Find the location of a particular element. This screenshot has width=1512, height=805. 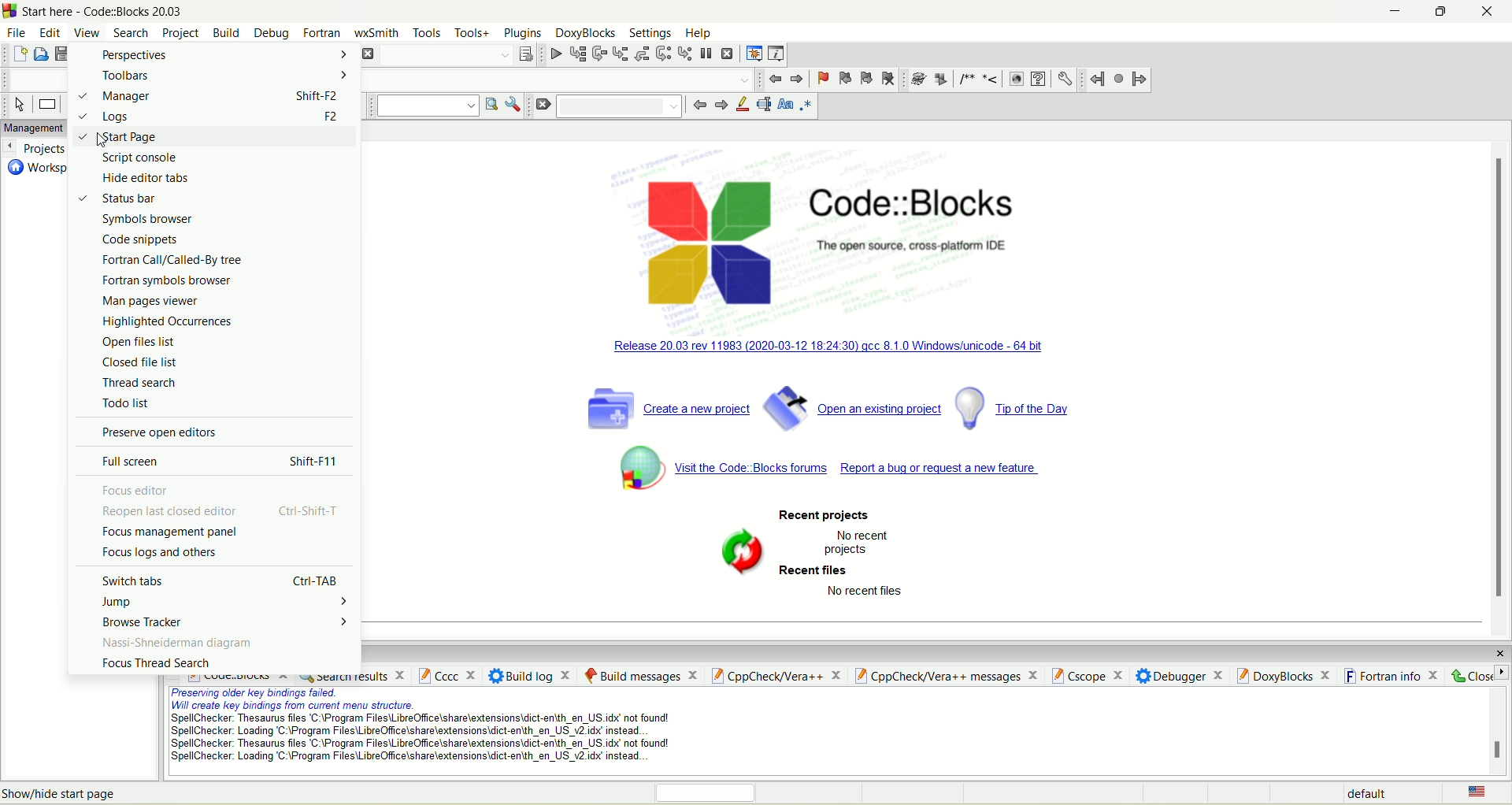

next is located at coordinates (719, 106).